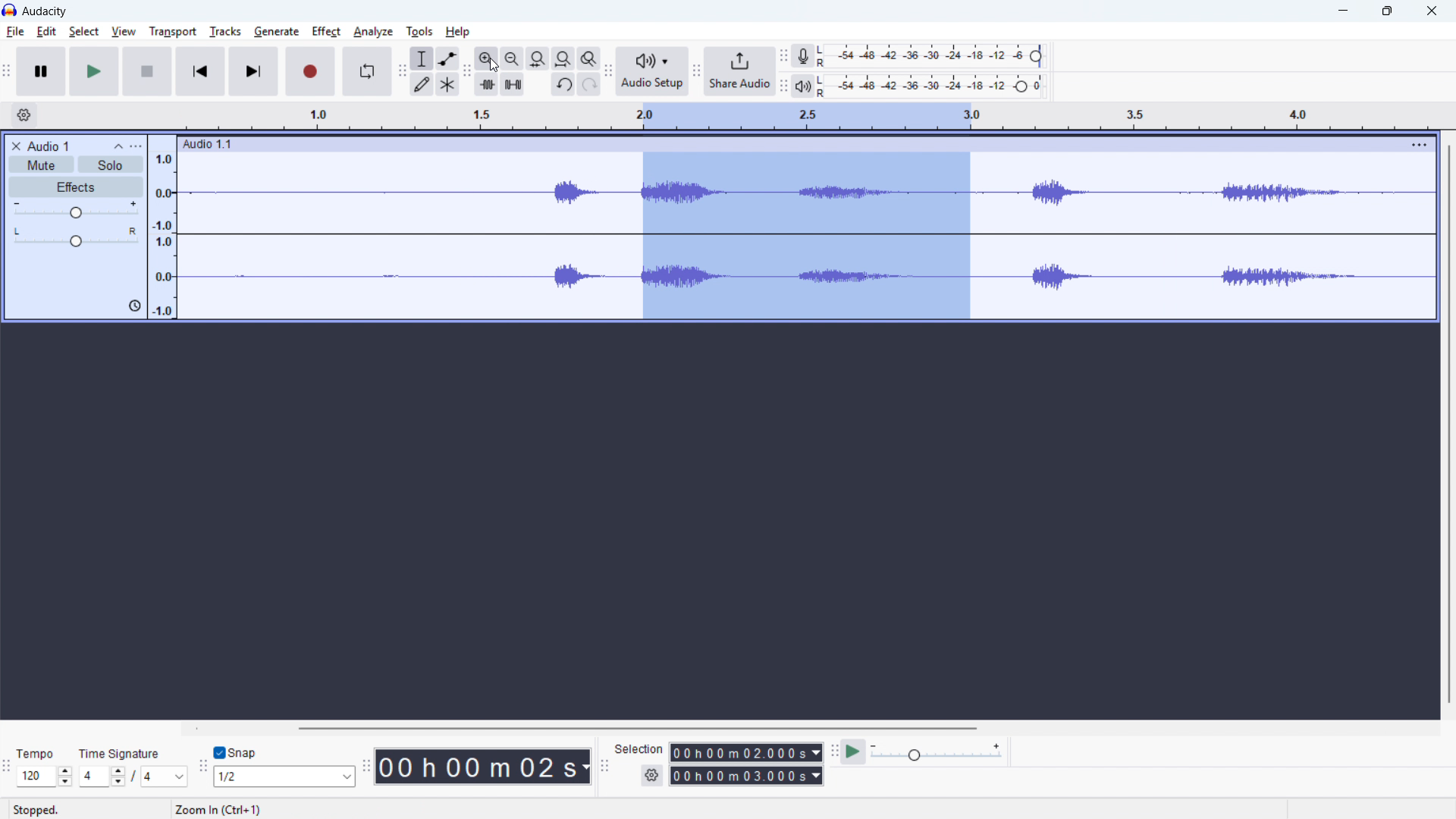 The image size is (1456, 819). Describe the element at coordinates (403, 72) in the screenshot. I see `Tools toolbar` at that location.